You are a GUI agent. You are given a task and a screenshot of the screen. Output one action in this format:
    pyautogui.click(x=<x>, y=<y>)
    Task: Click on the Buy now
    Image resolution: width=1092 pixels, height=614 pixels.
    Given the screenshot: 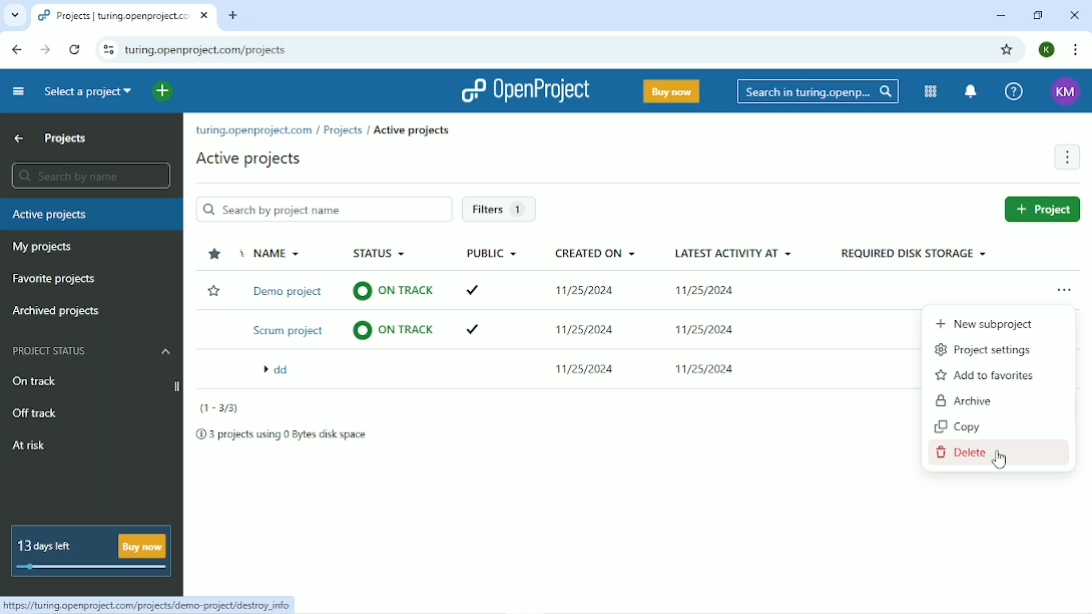 What is the action you would take?
    pyautogui.click(x=672, y=91)
    